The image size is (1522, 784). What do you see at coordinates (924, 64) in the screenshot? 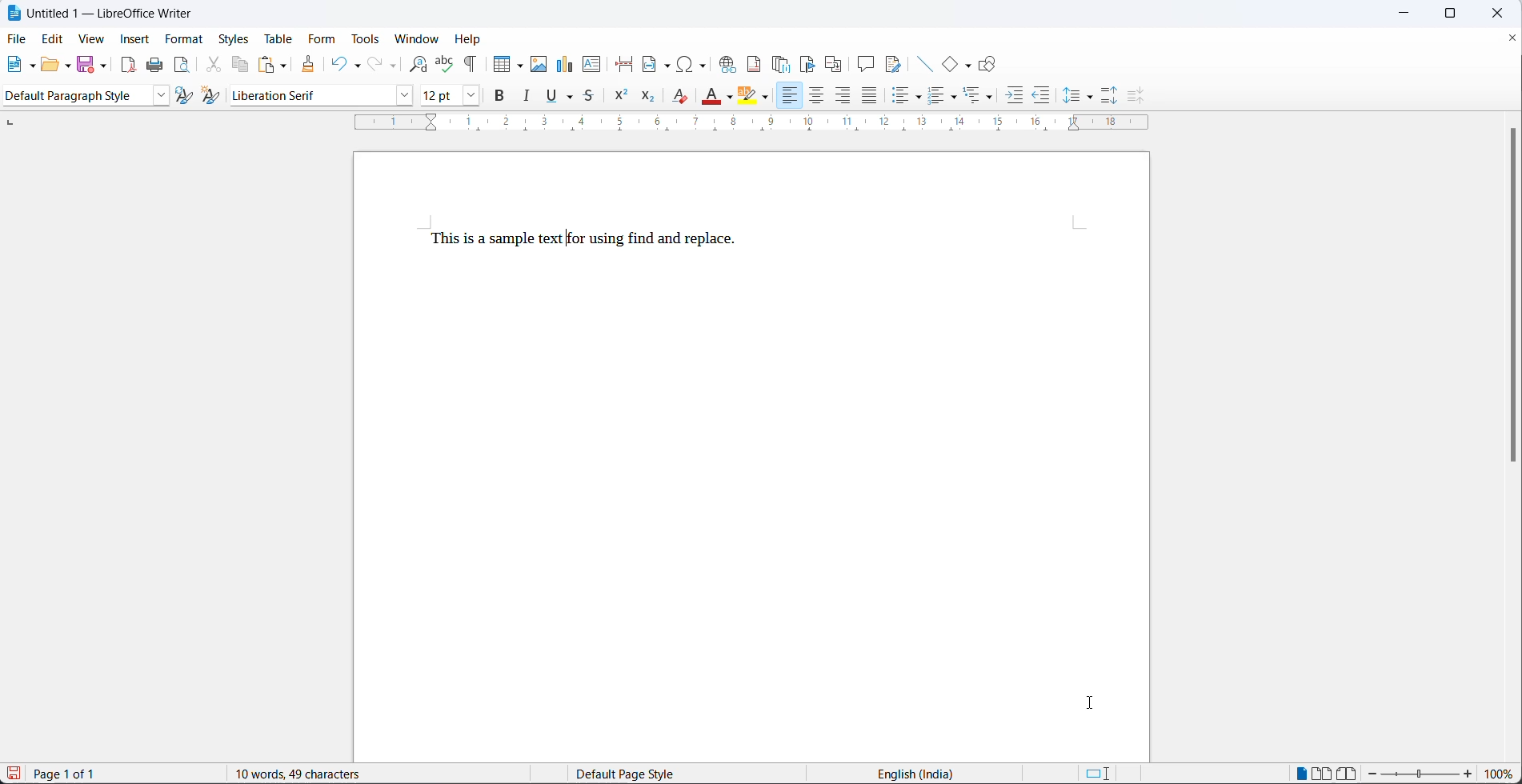
I see `insert lines` at bounding box center [924, 64].